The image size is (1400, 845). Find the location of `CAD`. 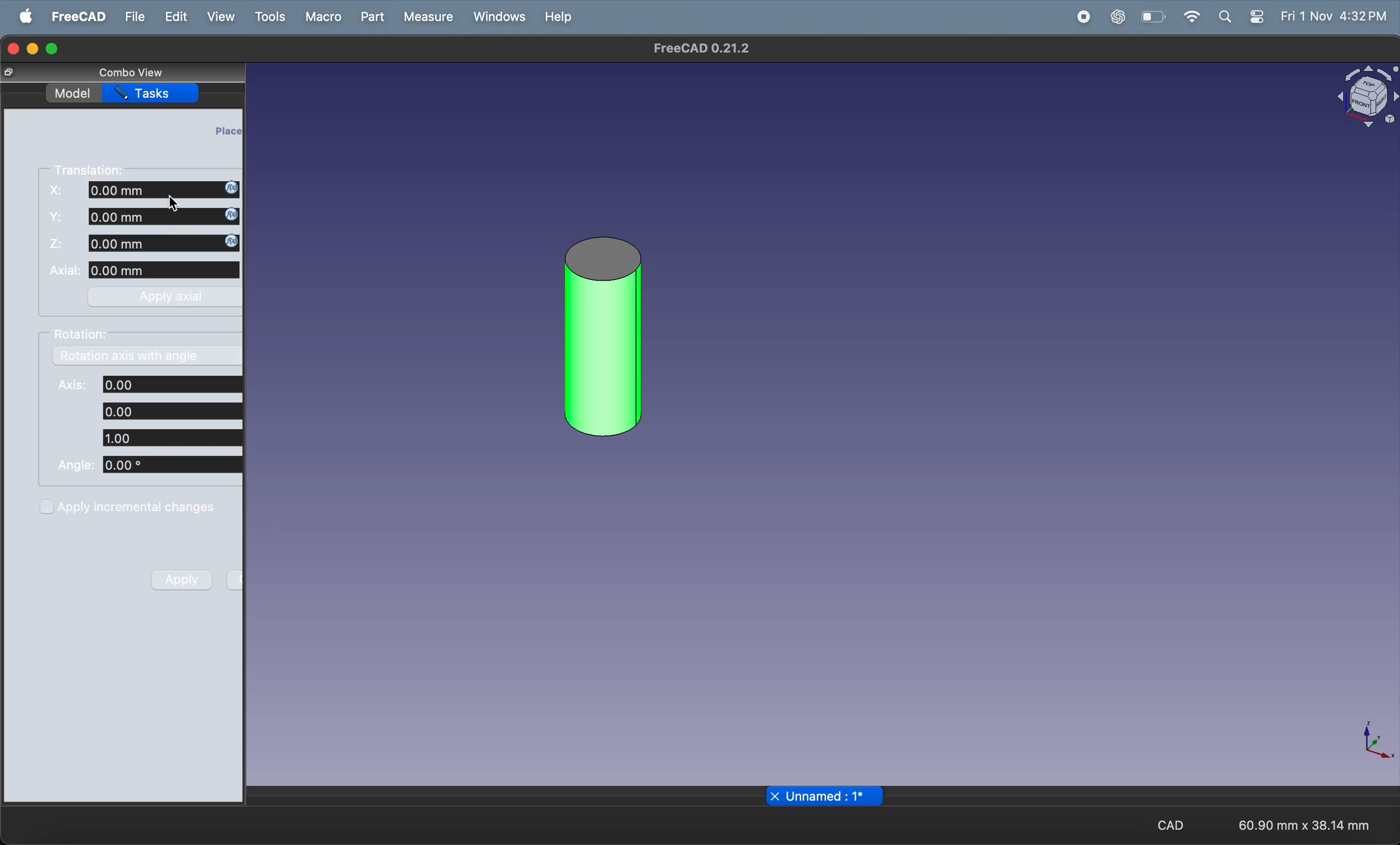

CAD is located at coordinates (1163, 824).